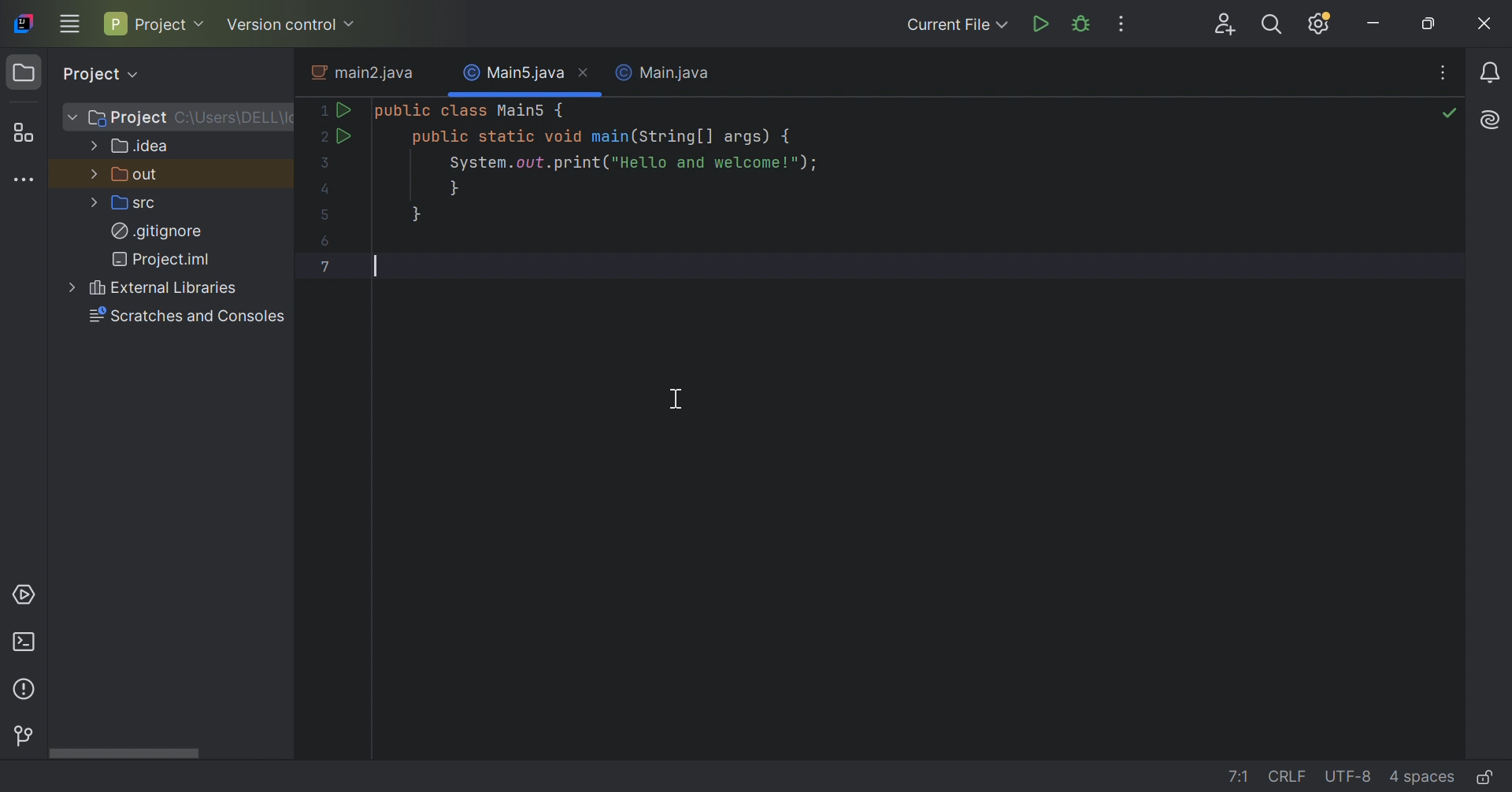  Describe the element at coordinates (91, 203) in the screenshot. I see `More` at that location.